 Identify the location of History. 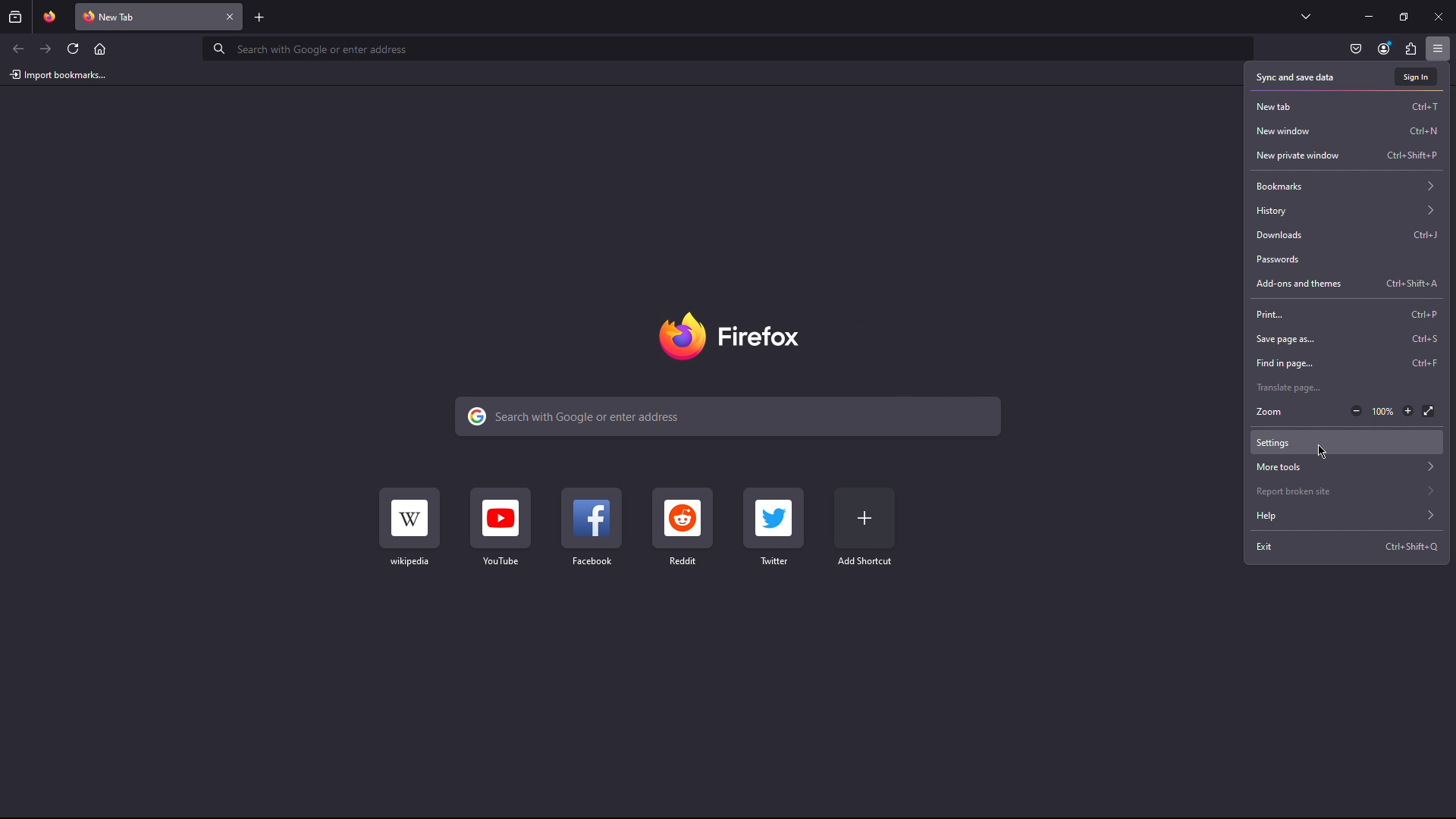
(1346, 210).